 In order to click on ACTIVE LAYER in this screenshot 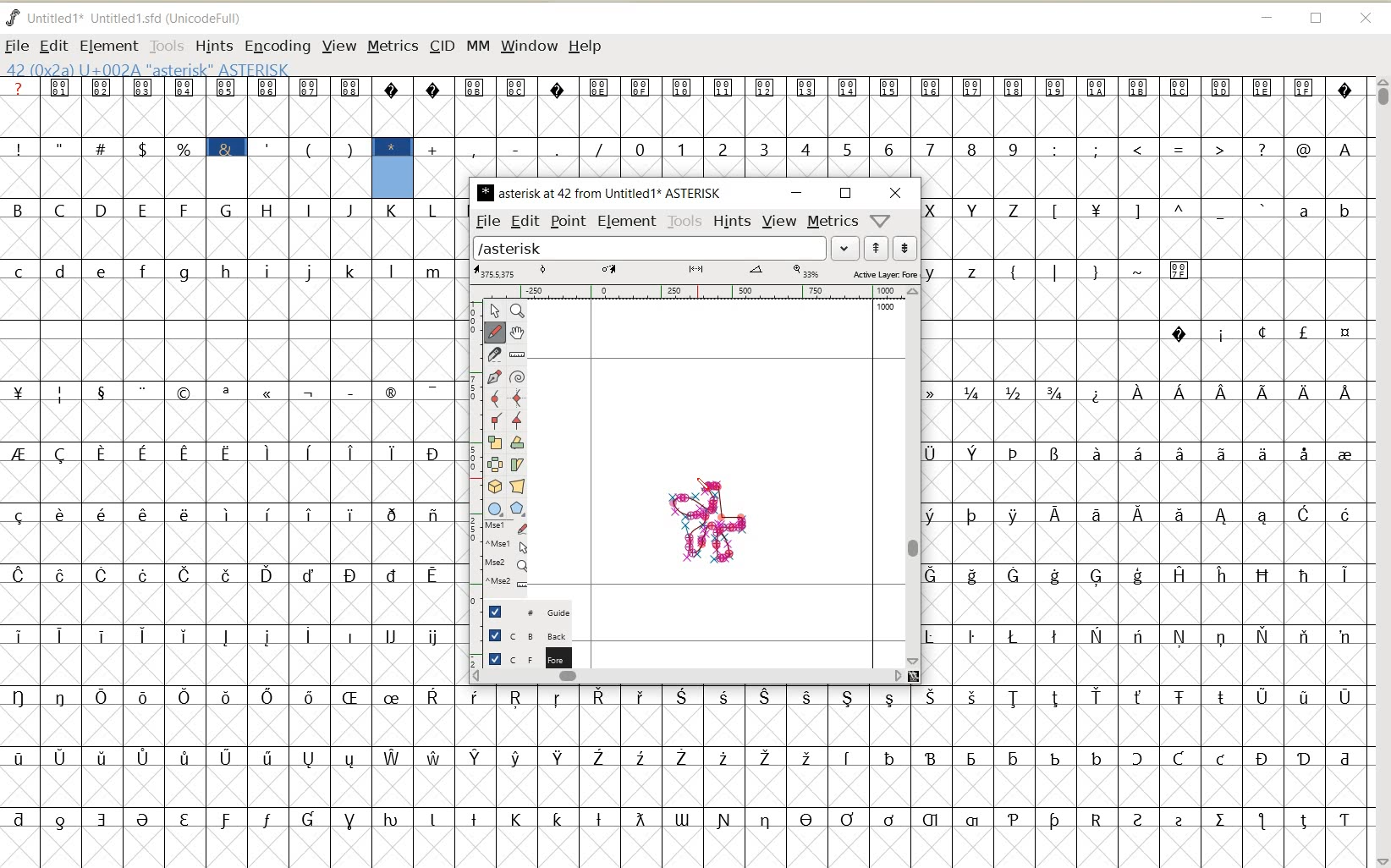, I will do `click(695, 272)`.